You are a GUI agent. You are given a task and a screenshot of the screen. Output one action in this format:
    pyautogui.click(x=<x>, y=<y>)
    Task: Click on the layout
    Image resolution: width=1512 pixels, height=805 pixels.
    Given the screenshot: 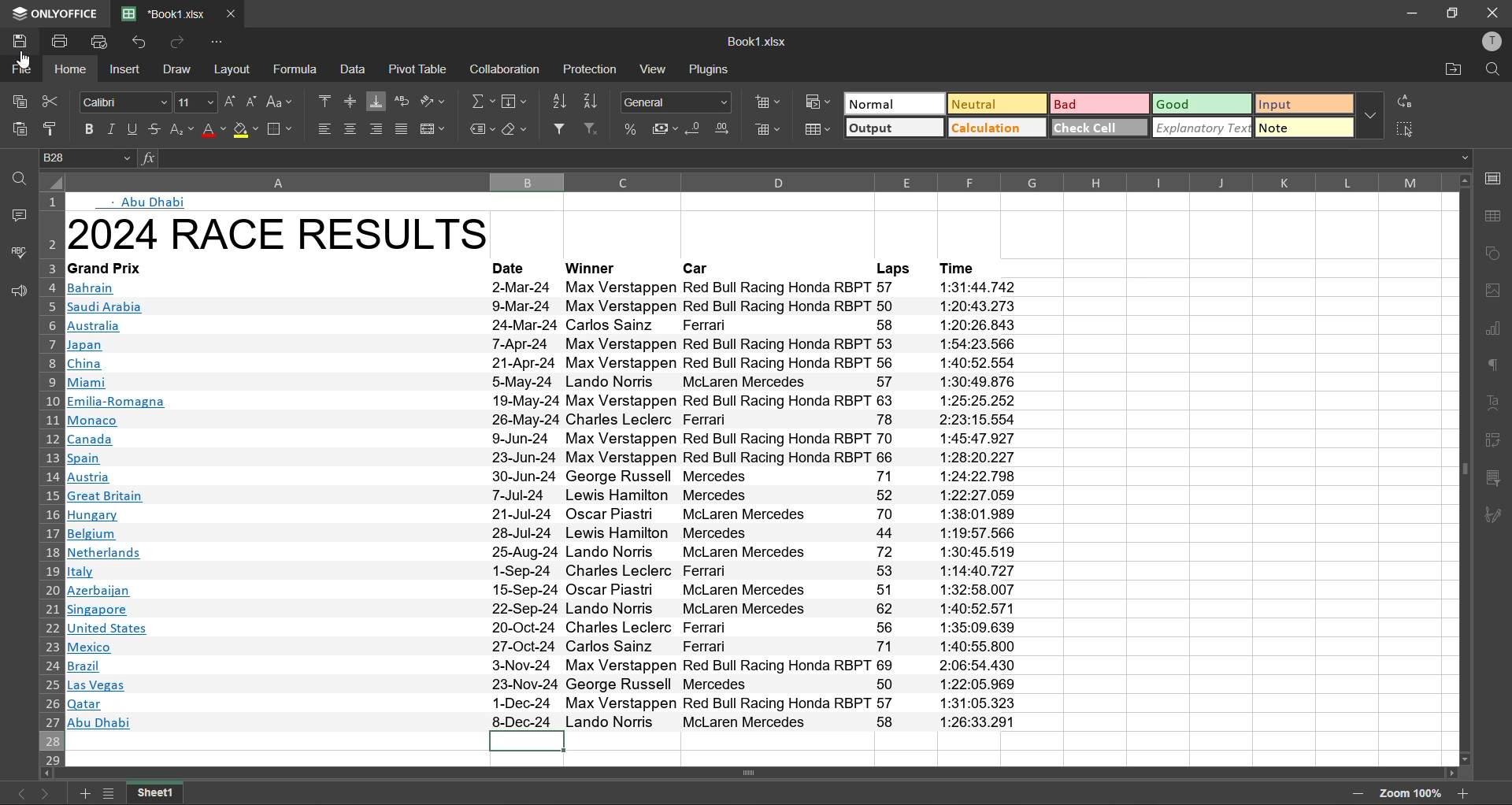 What is the action you would take?
    pyautogui.click(x=232, y=72)
    